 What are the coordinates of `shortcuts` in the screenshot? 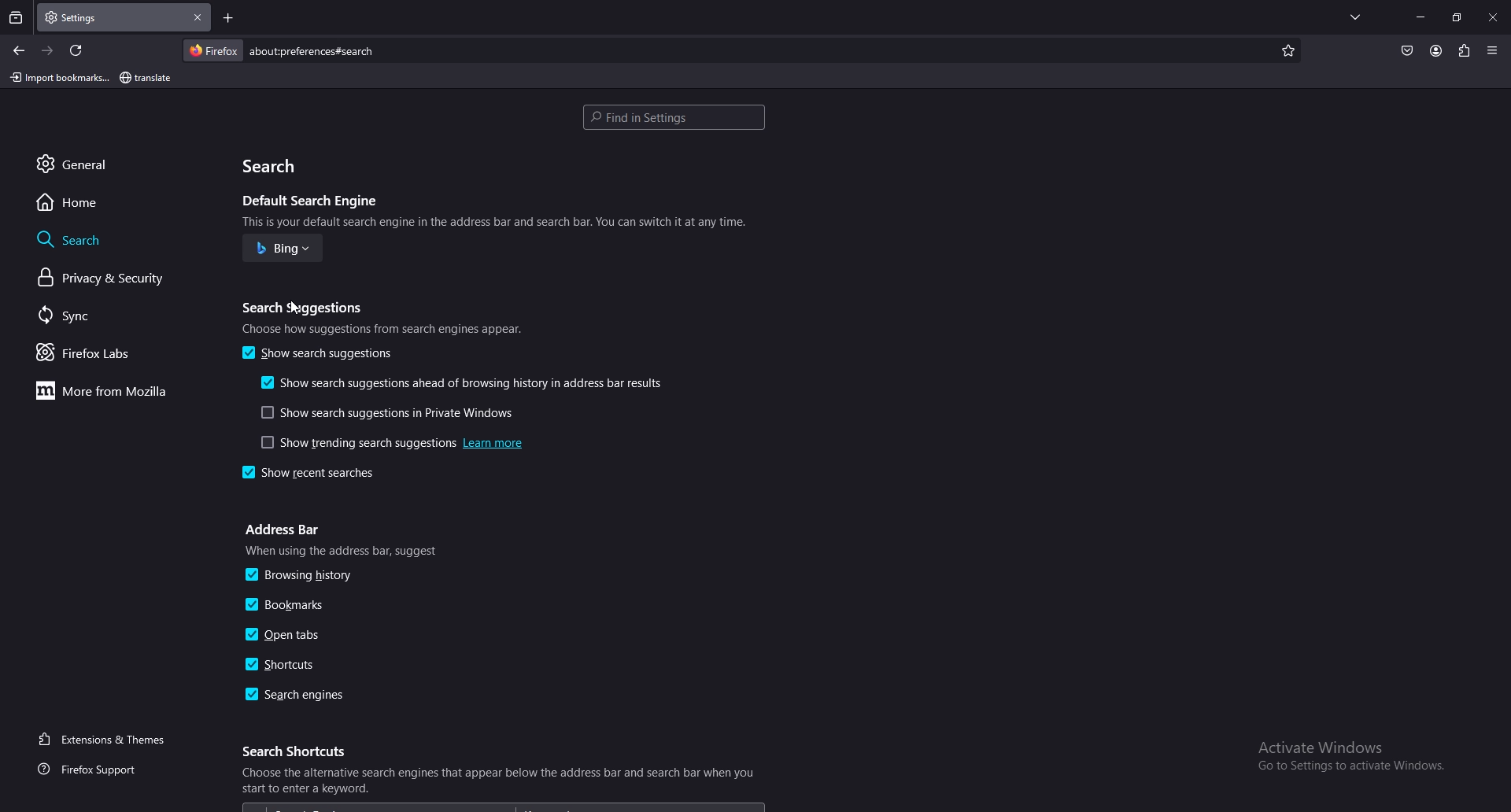 It's located at (285, 663).